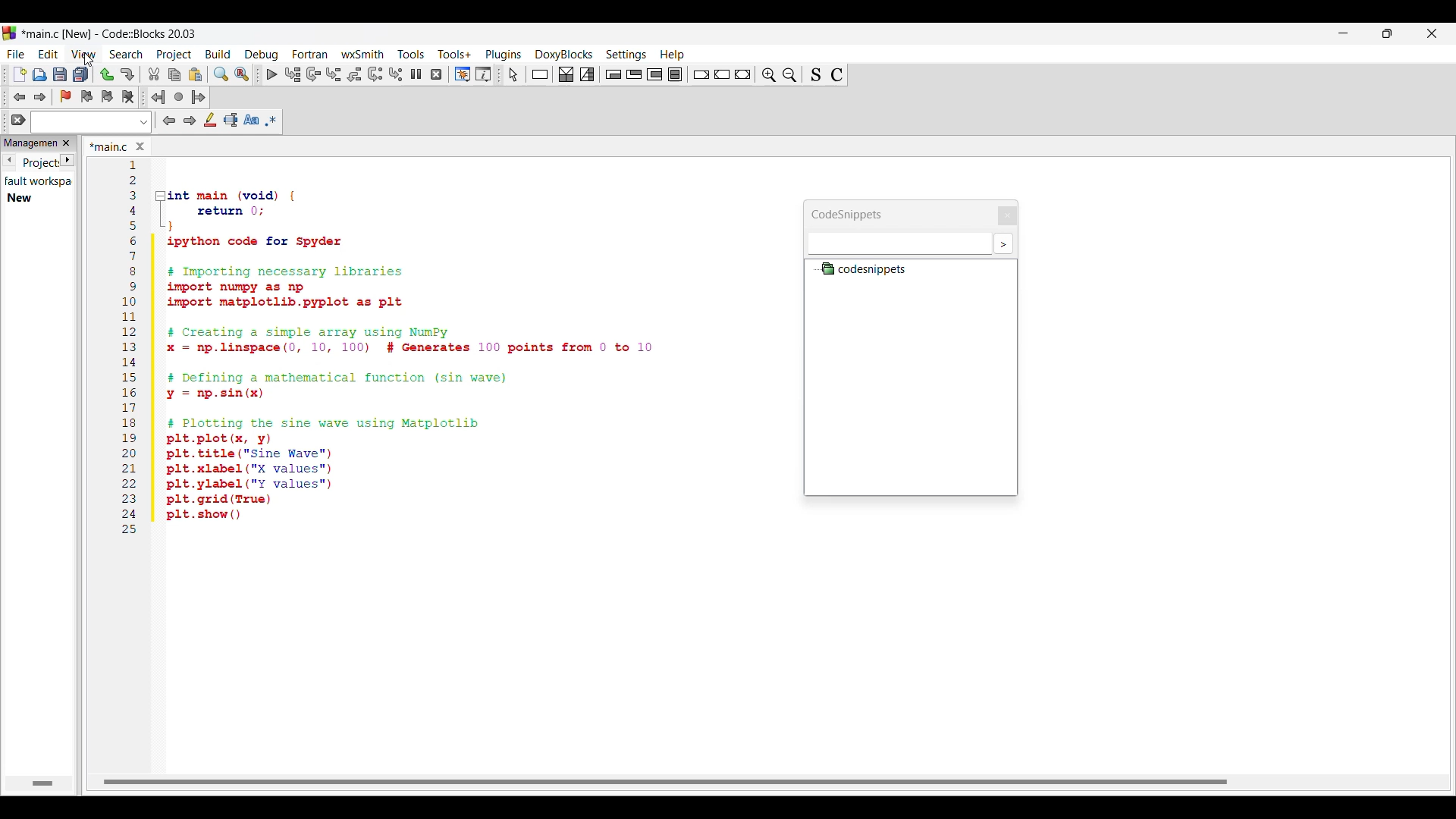 The image size is (1456, 819). I want to click on Next instruction, so click(375, 74).